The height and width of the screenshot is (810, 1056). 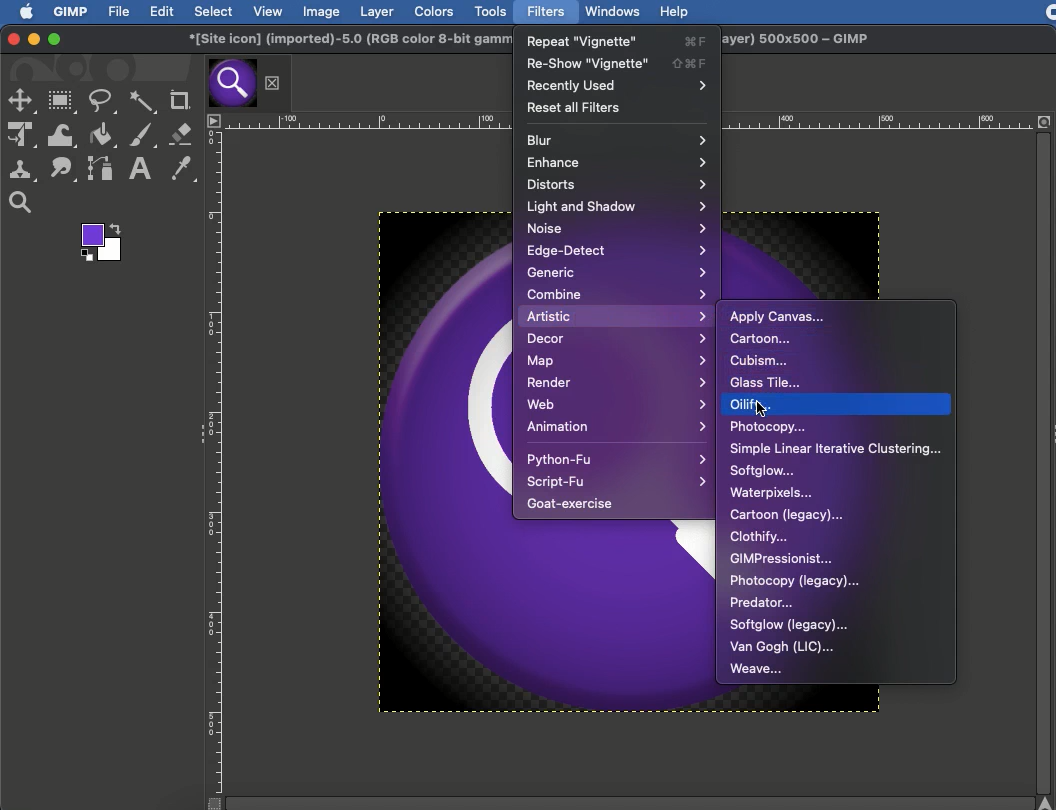 What do you see at coordinates (786, 516) in the screenshot?
I see `Cartoon legacy` at bounding box center [786, 516].